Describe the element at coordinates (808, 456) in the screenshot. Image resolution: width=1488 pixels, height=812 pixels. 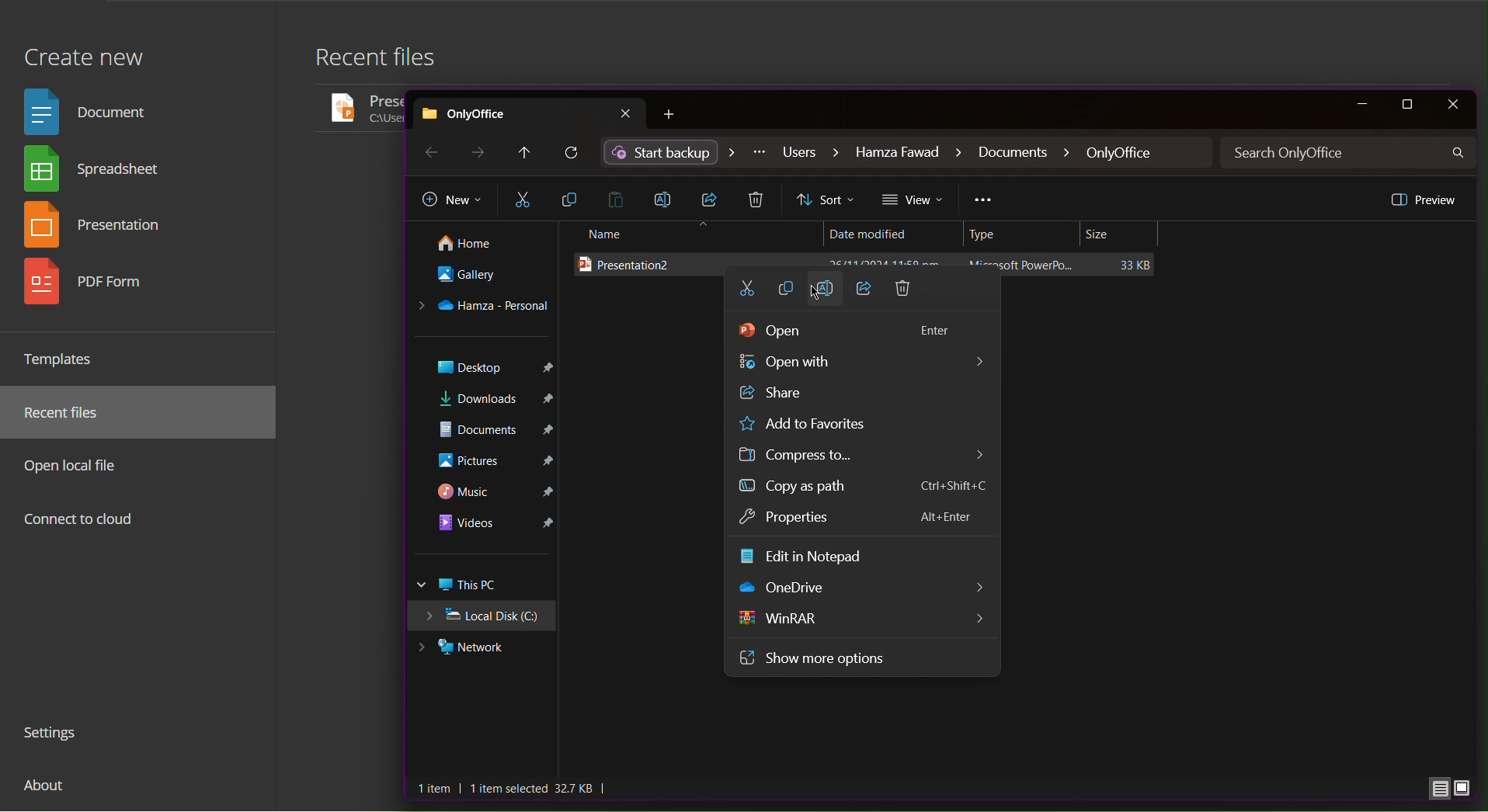
I see `Compress to` at that location.